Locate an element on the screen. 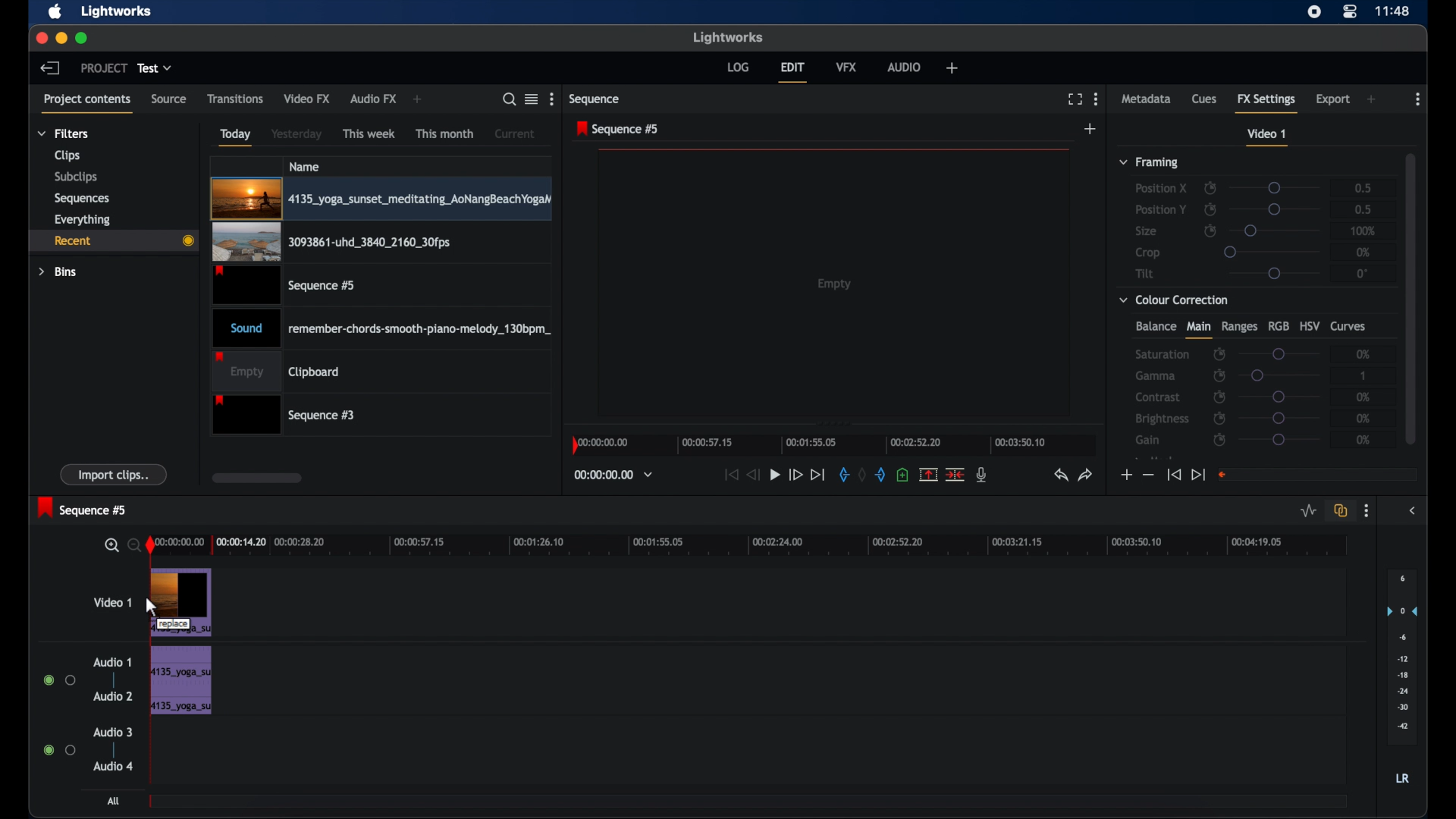 Image resolution: width=1456 pixels, height=819 pixels. 0.5 is located at coordinates (1362, 209).